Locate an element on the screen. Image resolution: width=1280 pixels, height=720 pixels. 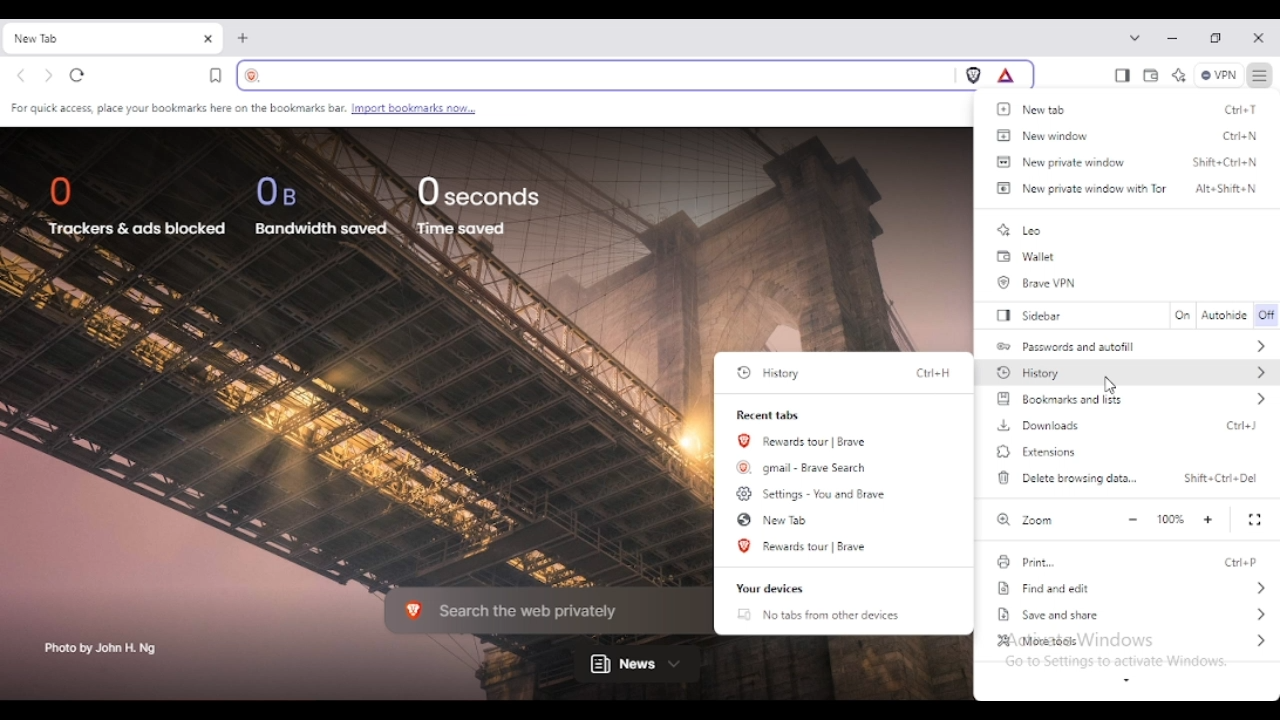
more tools is located at coordinates (1131, 640).